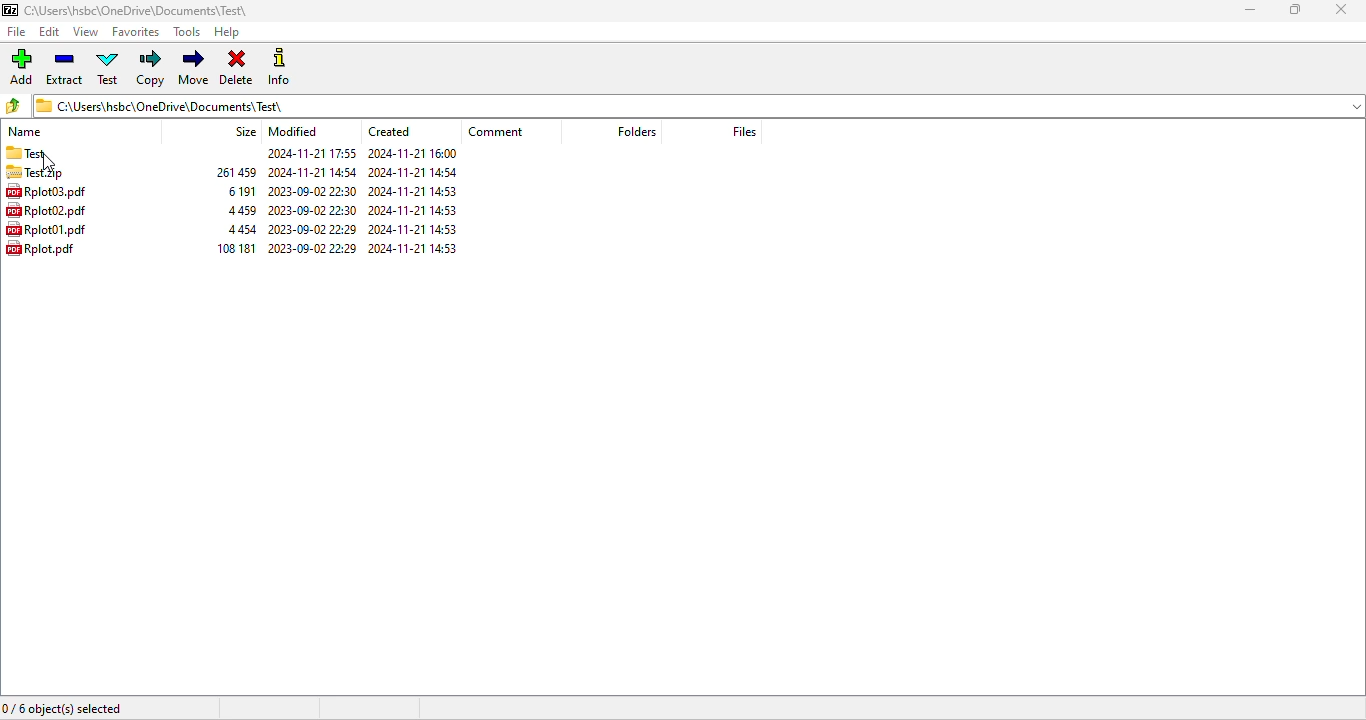 The height and width of the screenshot is (720, 1366). Describe the element at coordinates (1342, 9) in the screenshot. I see `close` at that location.